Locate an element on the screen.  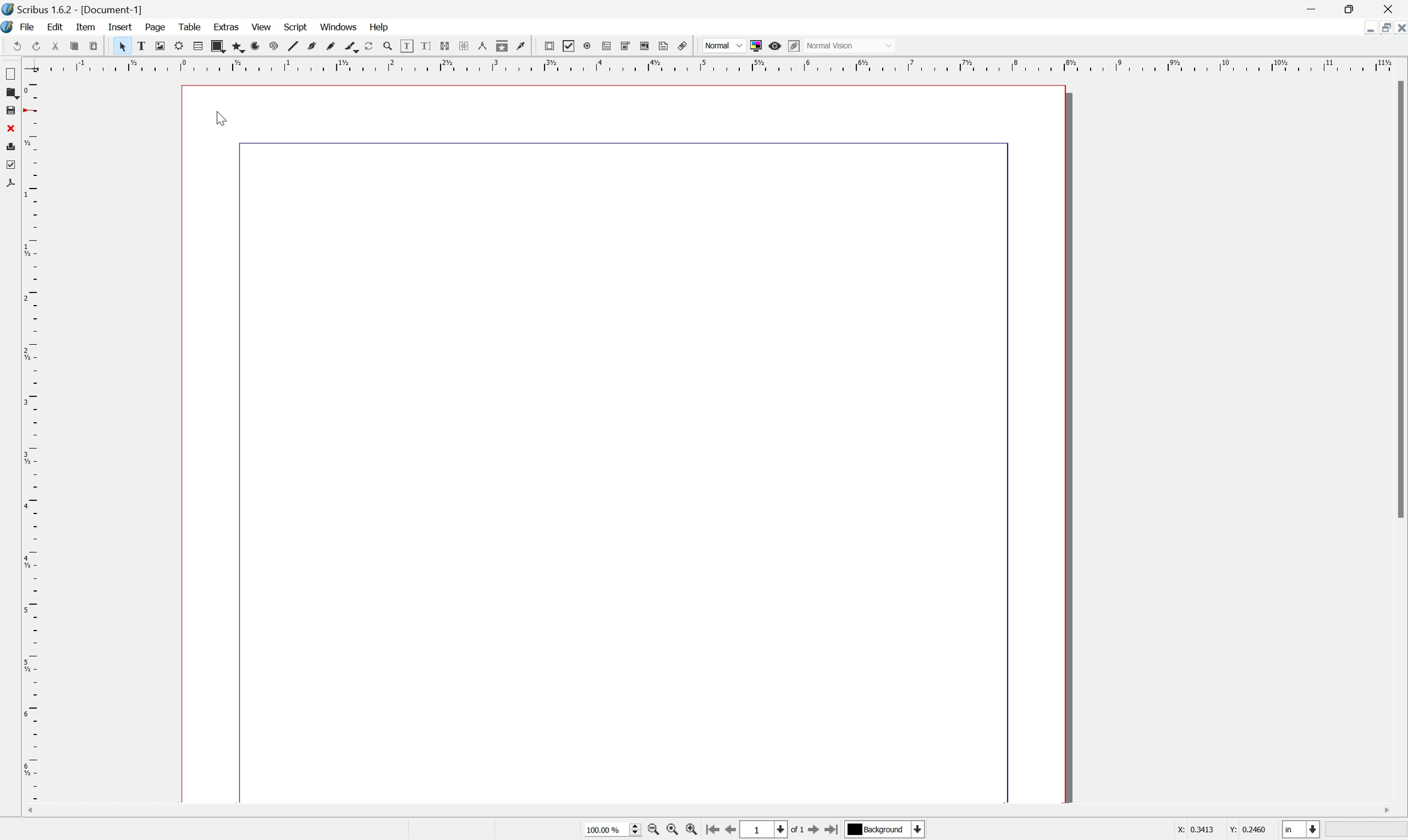
view is located at coordinates (263, 27).